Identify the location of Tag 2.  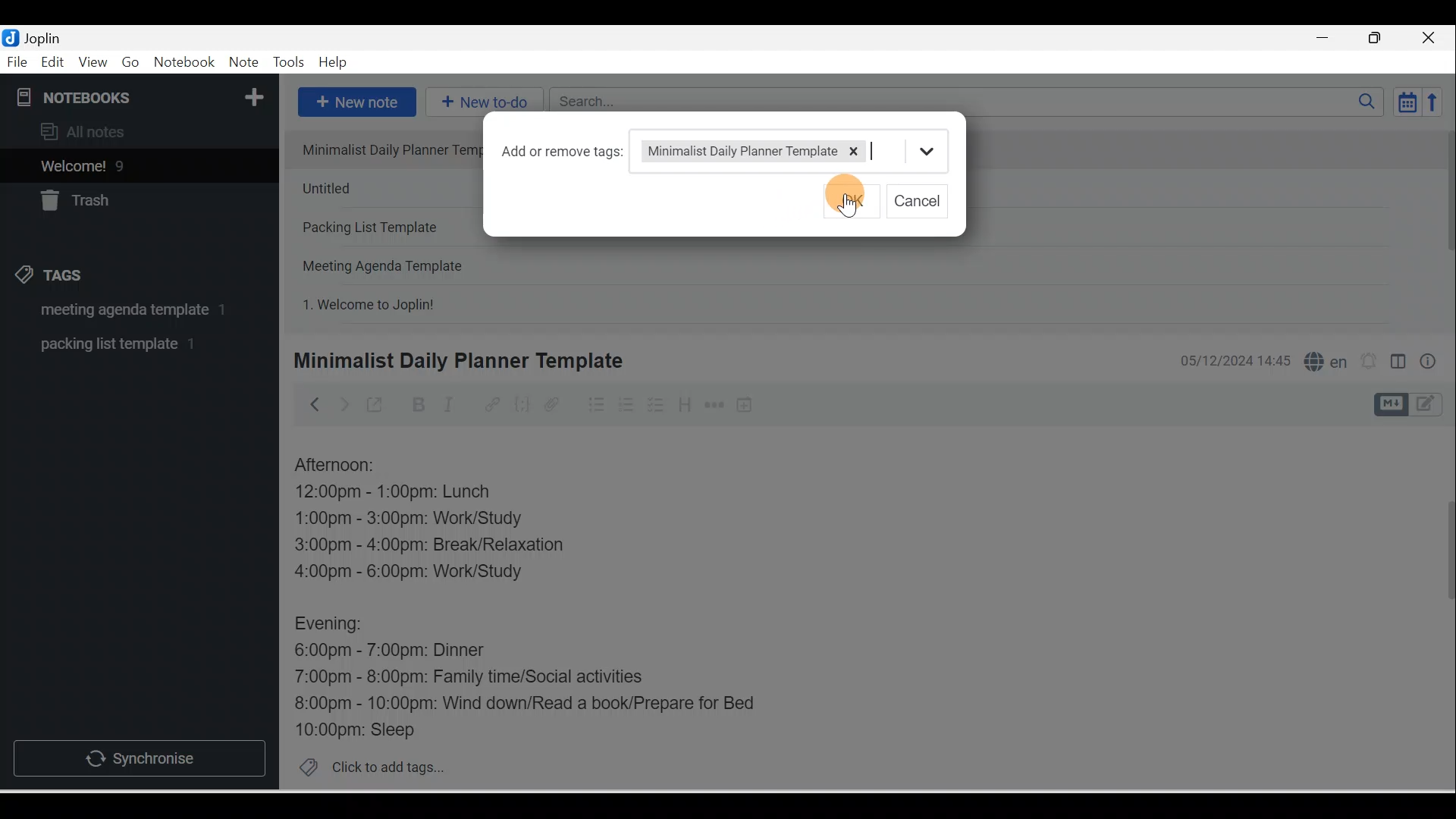
(128, 344).